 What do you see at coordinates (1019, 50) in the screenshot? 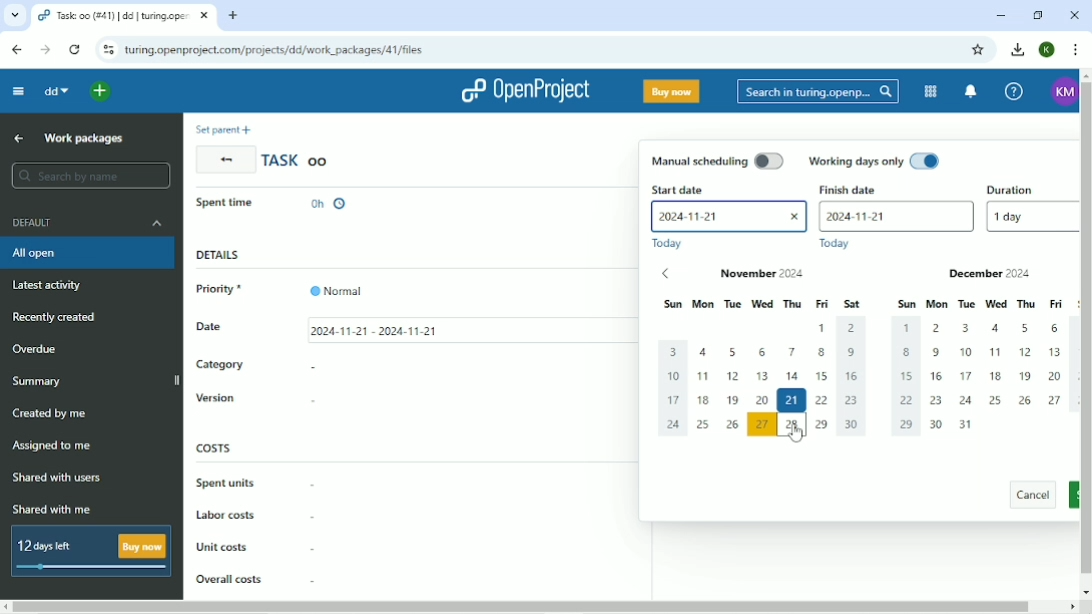
I see `Downloads` at bounding box center [1019, 50].